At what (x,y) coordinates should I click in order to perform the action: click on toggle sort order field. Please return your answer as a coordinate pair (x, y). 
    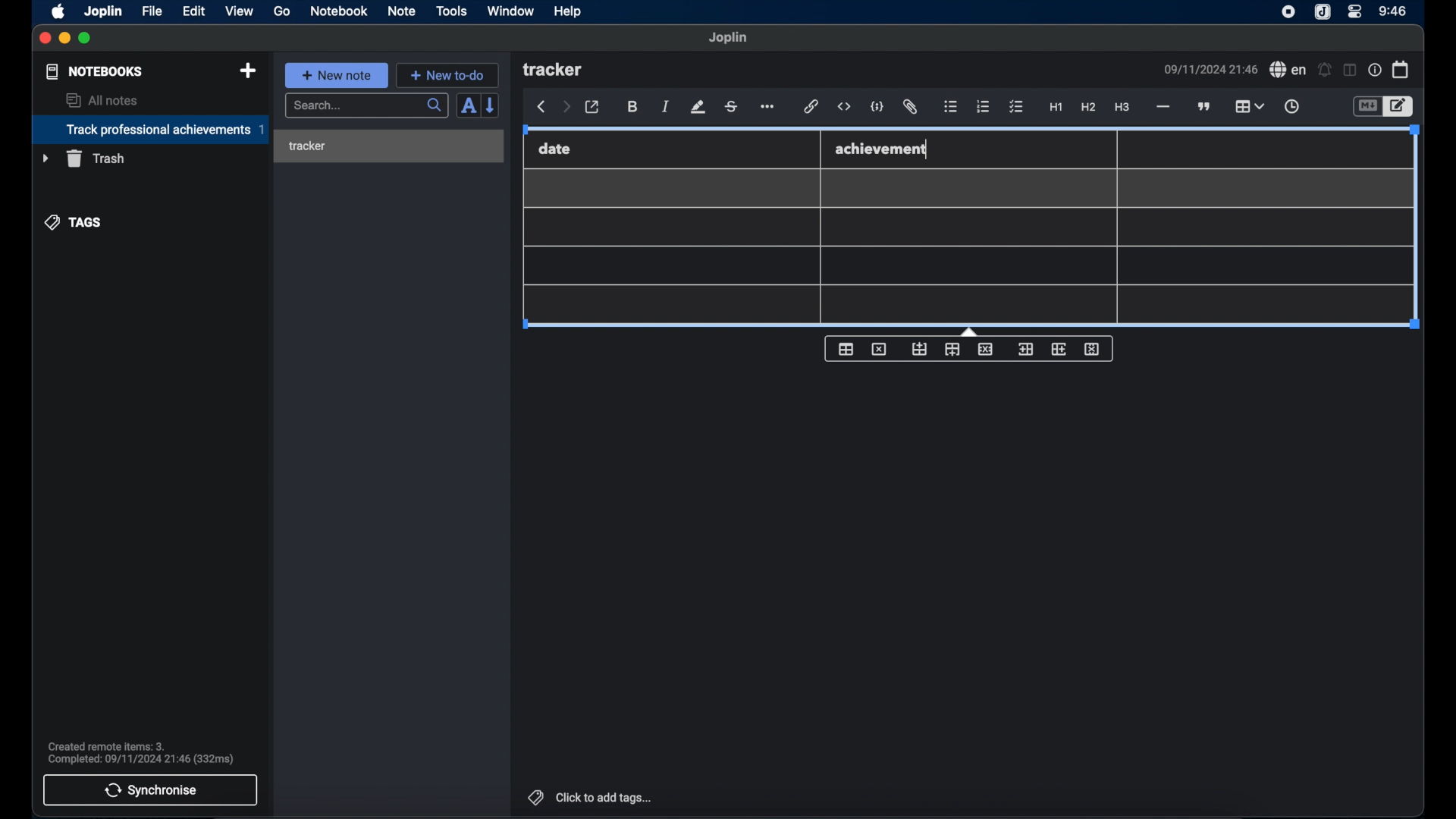
    Looking at the image, I should click on (466, 107).